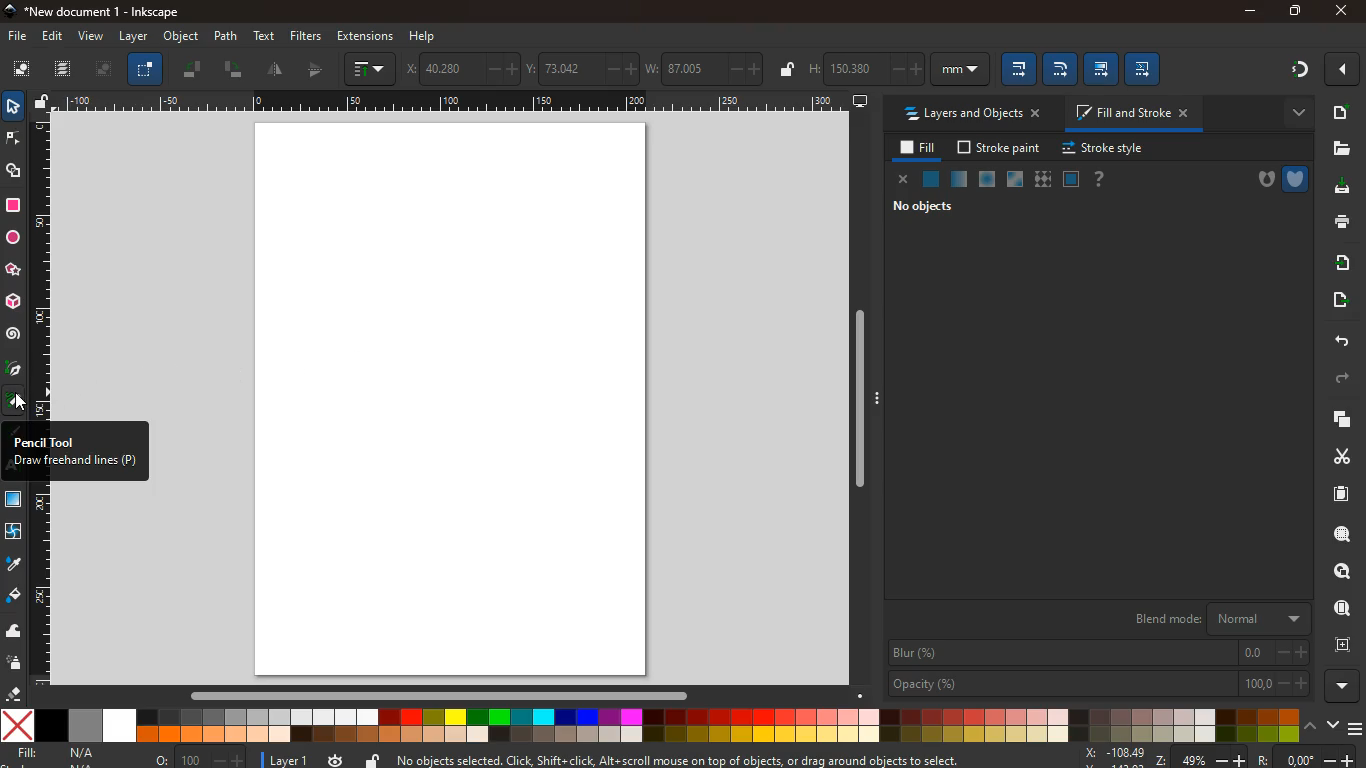 This screenshot has width=1366, height=768. I want to click on gradient, so click(1298, 72).